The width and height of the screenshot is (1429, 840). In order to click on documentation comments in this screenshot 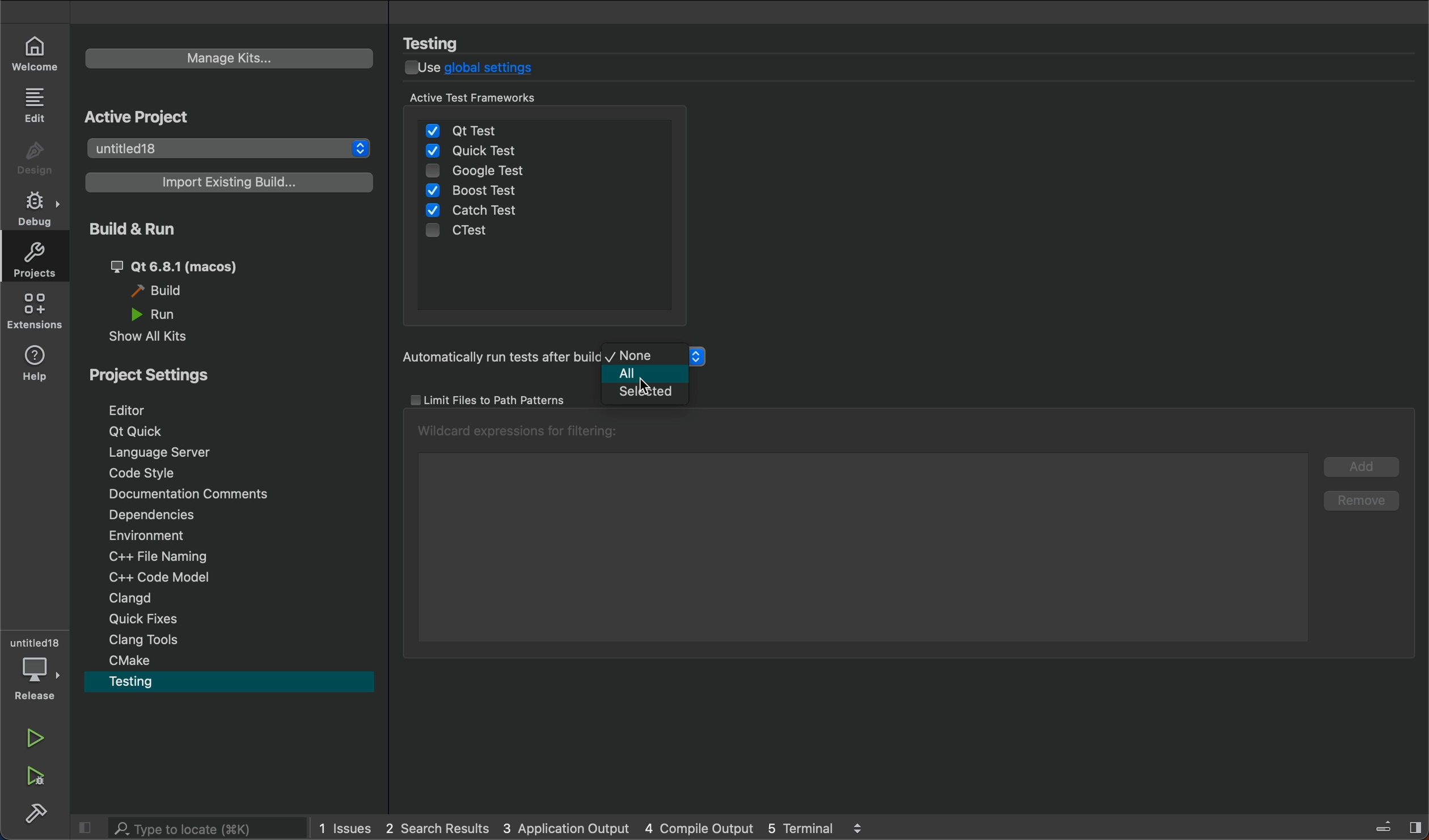, I will do `click(193, 493)`.